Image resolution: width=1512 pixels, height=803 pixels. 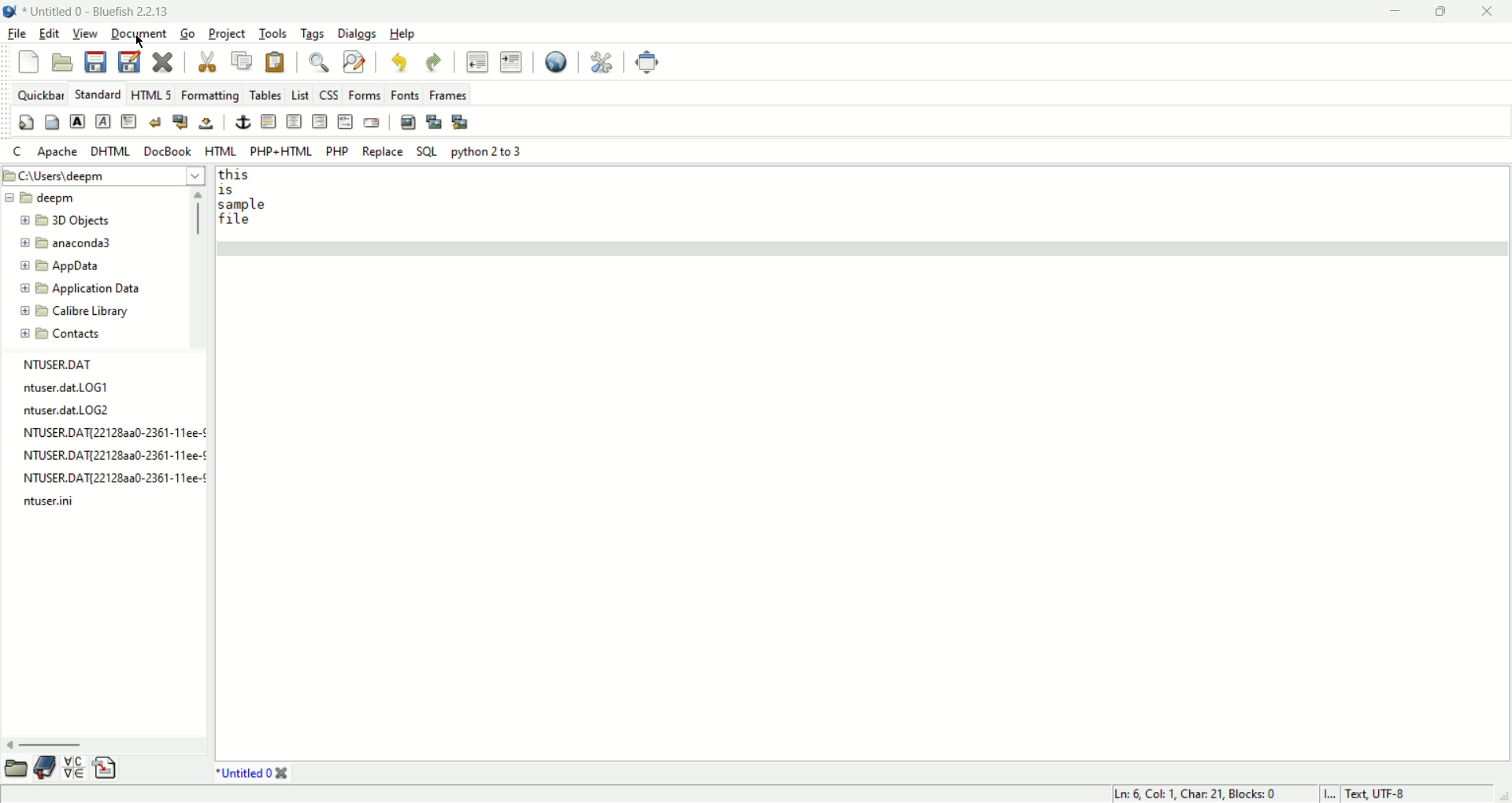 What do you see at coordinates (61, 335) in the screenshot?
I see `contacts` at bounding box center [61, 335].